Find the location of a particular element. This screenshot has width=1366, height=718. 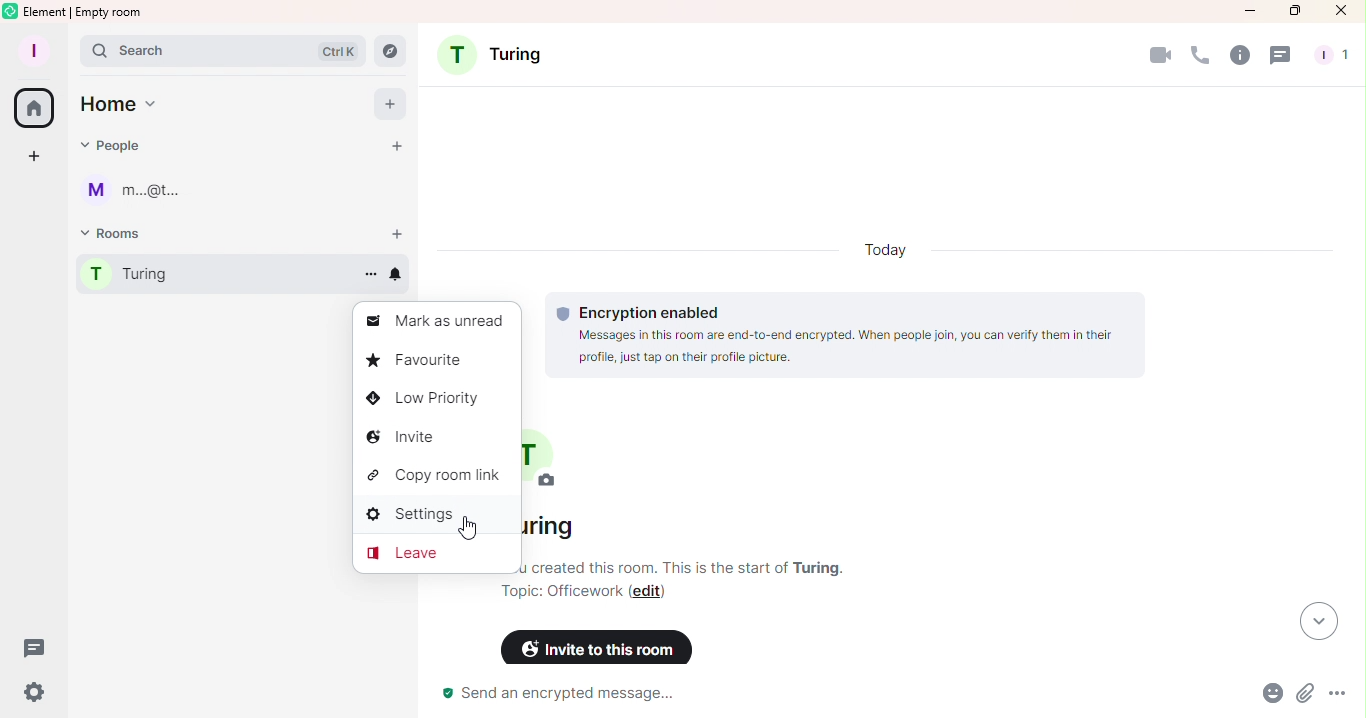

Emoji is located at coordinates (1272, 695).